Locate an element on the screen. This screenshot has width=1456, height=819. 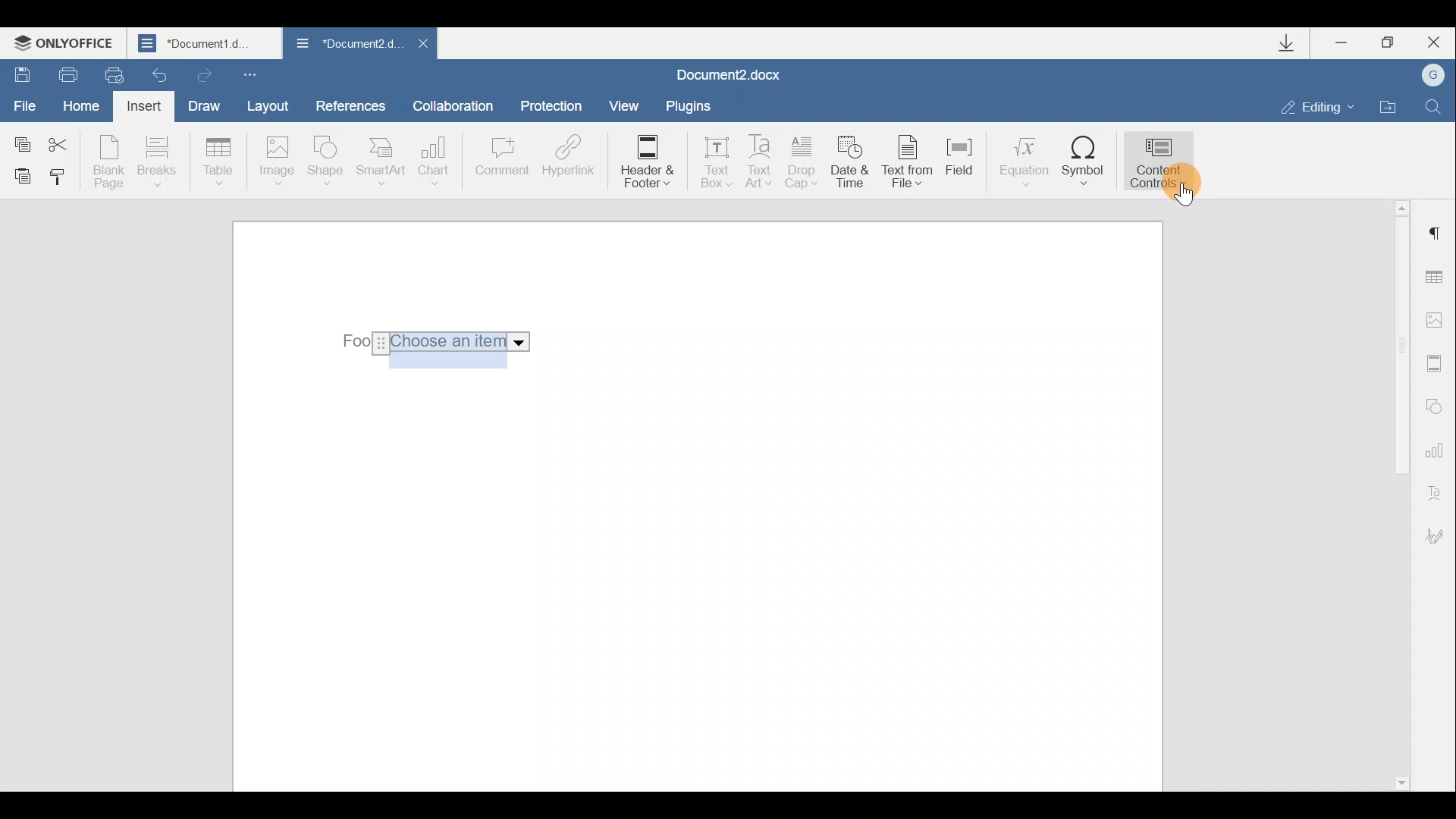
Equation is located at coordinates (1022, 158).